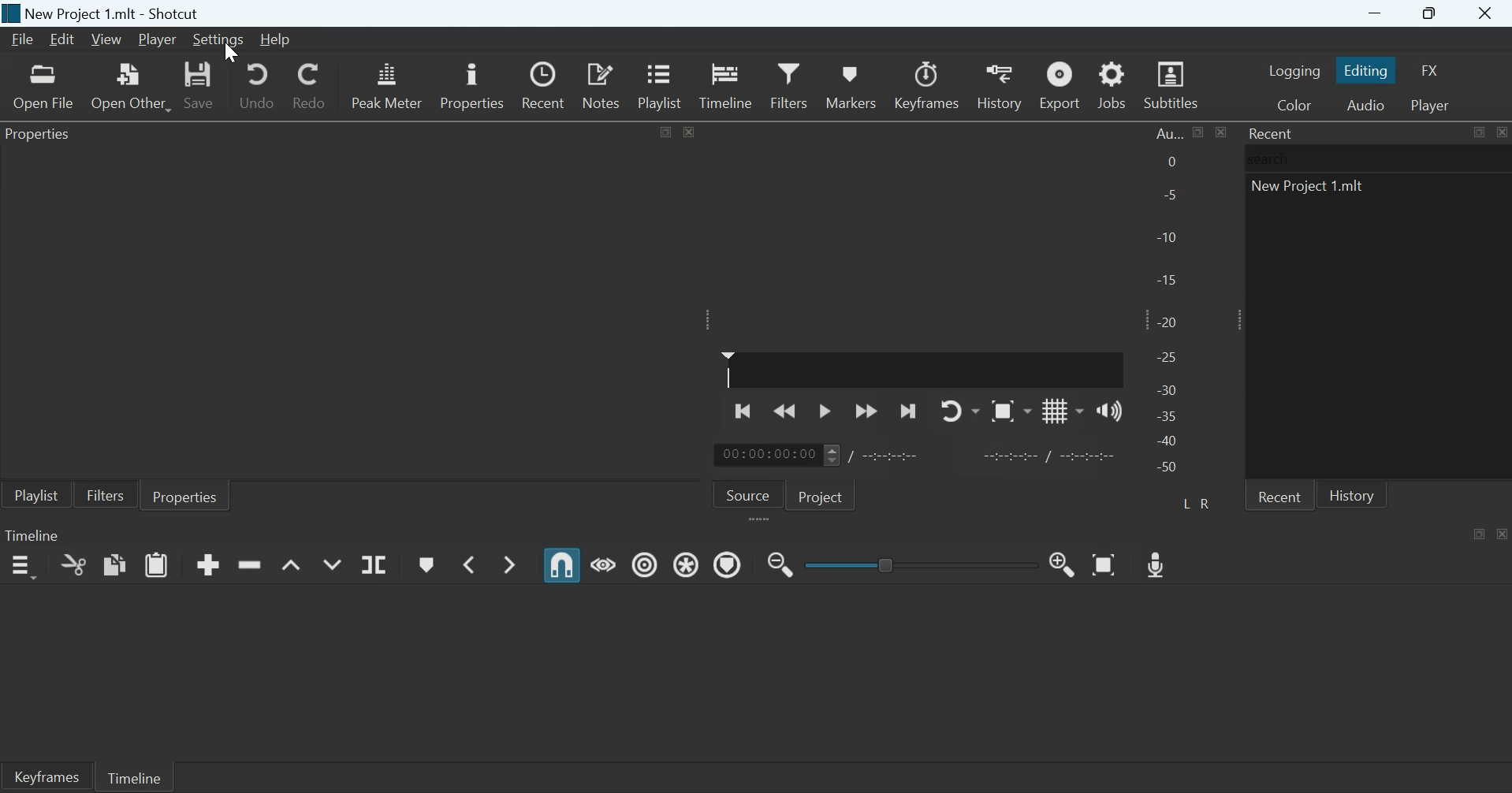 This screenshot has width=1512, height=793. What do you see at coordinates (892, 456) in the screenshot?
I see `Duration` at bounding box center [892, 456].